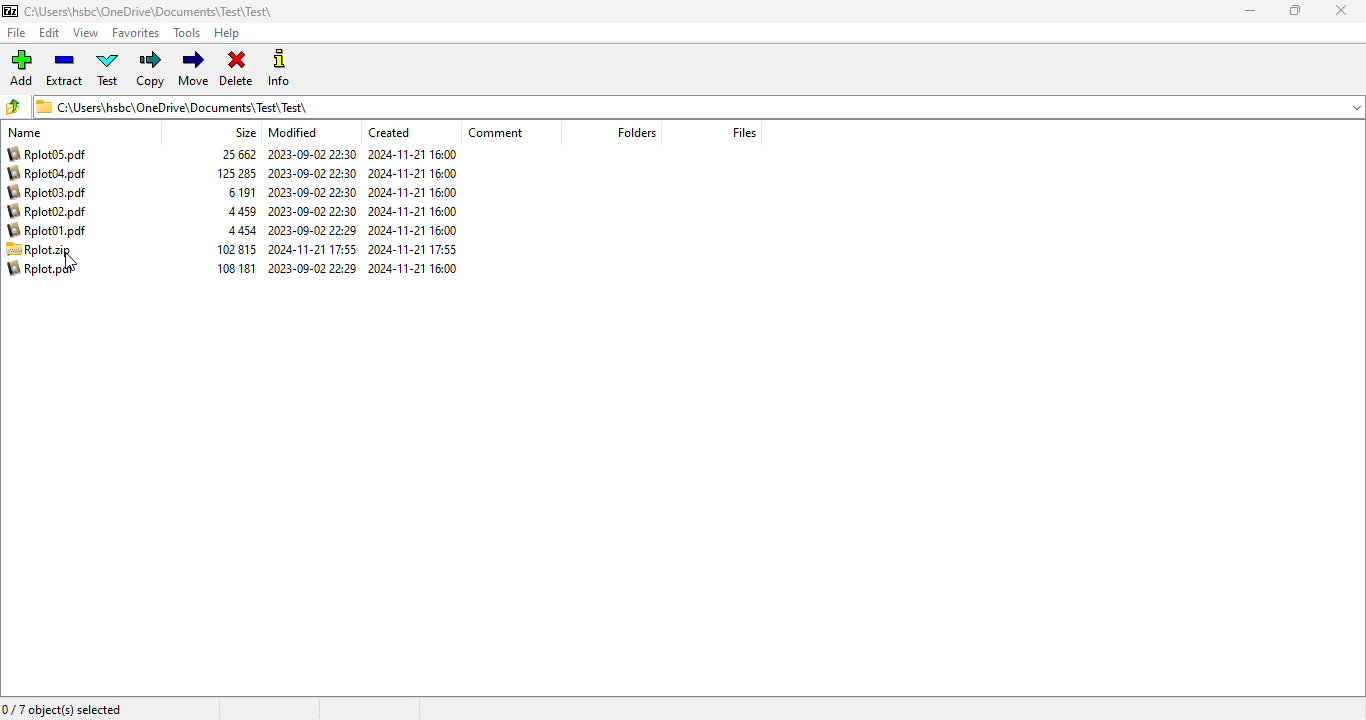 Image resolution: width=1366 pixels, height=720 pixels. What do you see at coordinates (636, 132) in the screenshot?
I see `folders` at bounding box center [636, 132].